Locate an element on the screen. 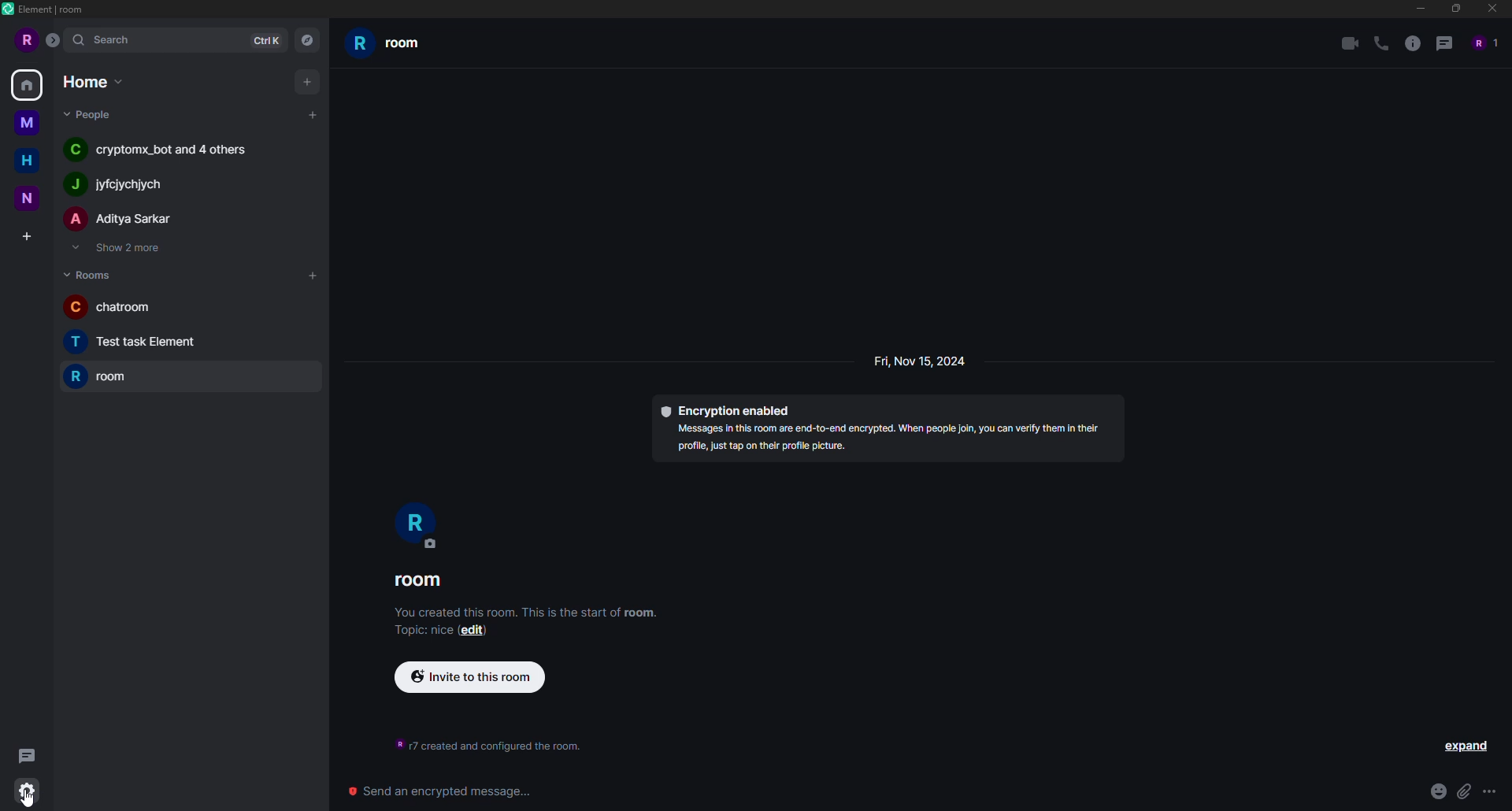  r is located at coordinates (417, 525).